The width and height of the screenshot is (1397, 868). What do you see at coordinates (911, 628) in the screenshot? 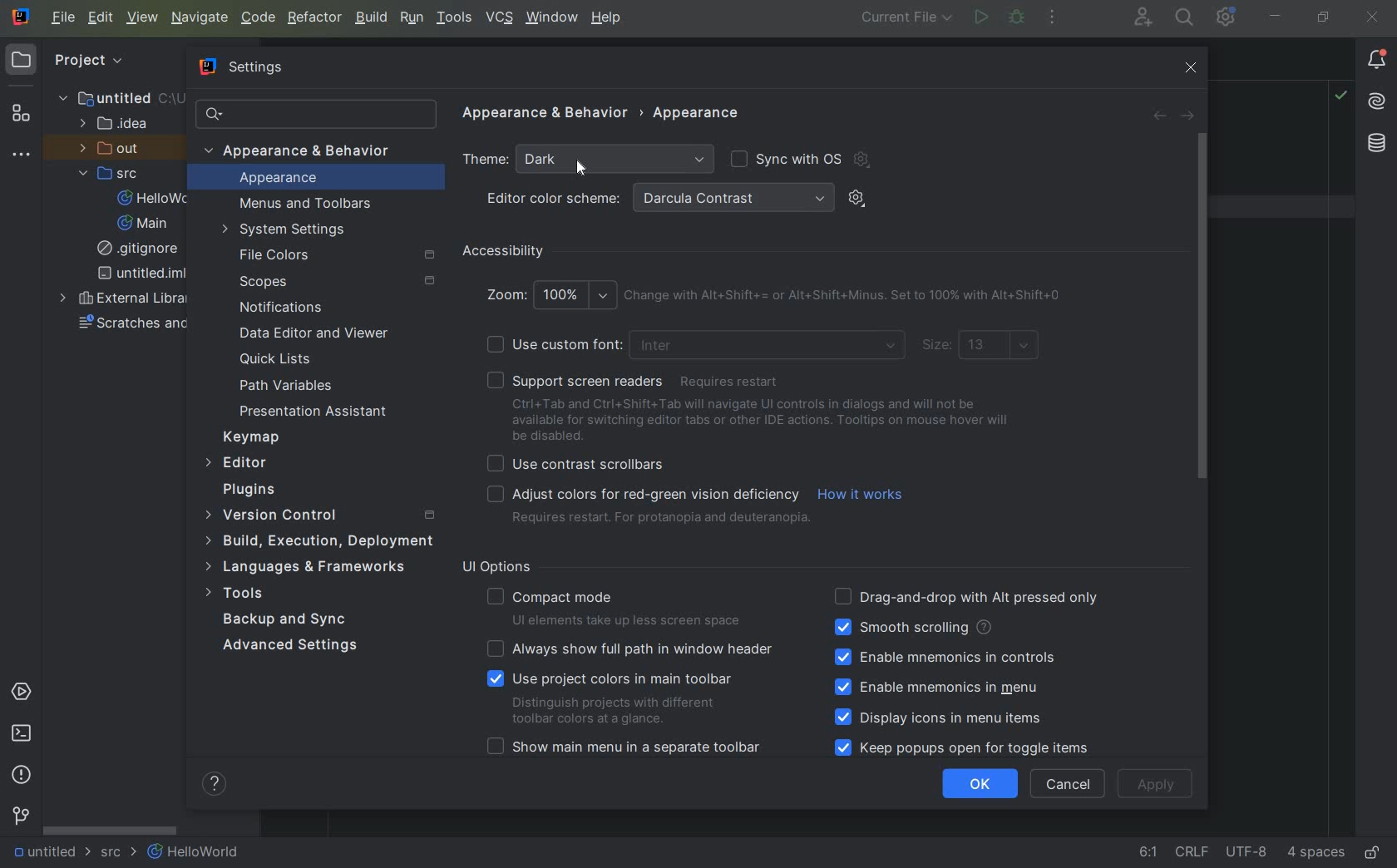
I see `smooth scrolling(checked)` at bounding box center [911, 628].